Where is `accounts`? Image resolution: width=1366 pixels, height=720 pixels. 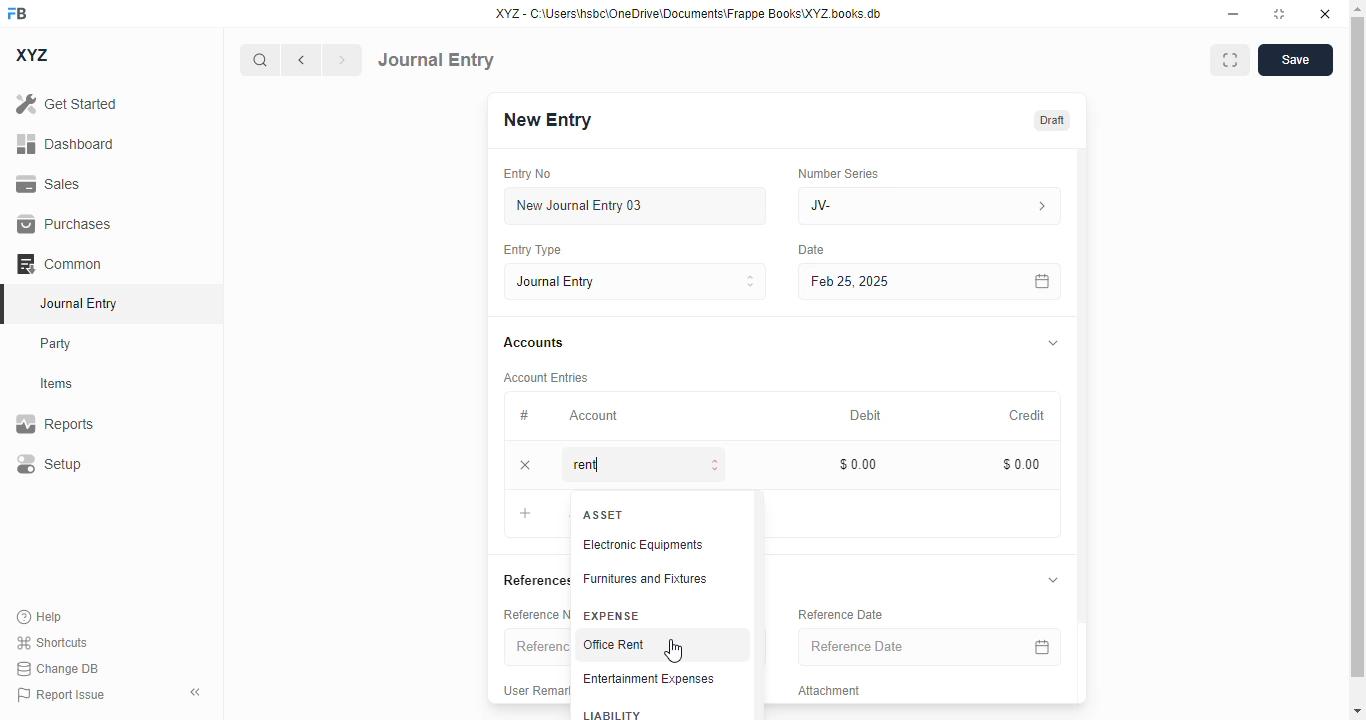 accounts is located at coordinates (533, 343).